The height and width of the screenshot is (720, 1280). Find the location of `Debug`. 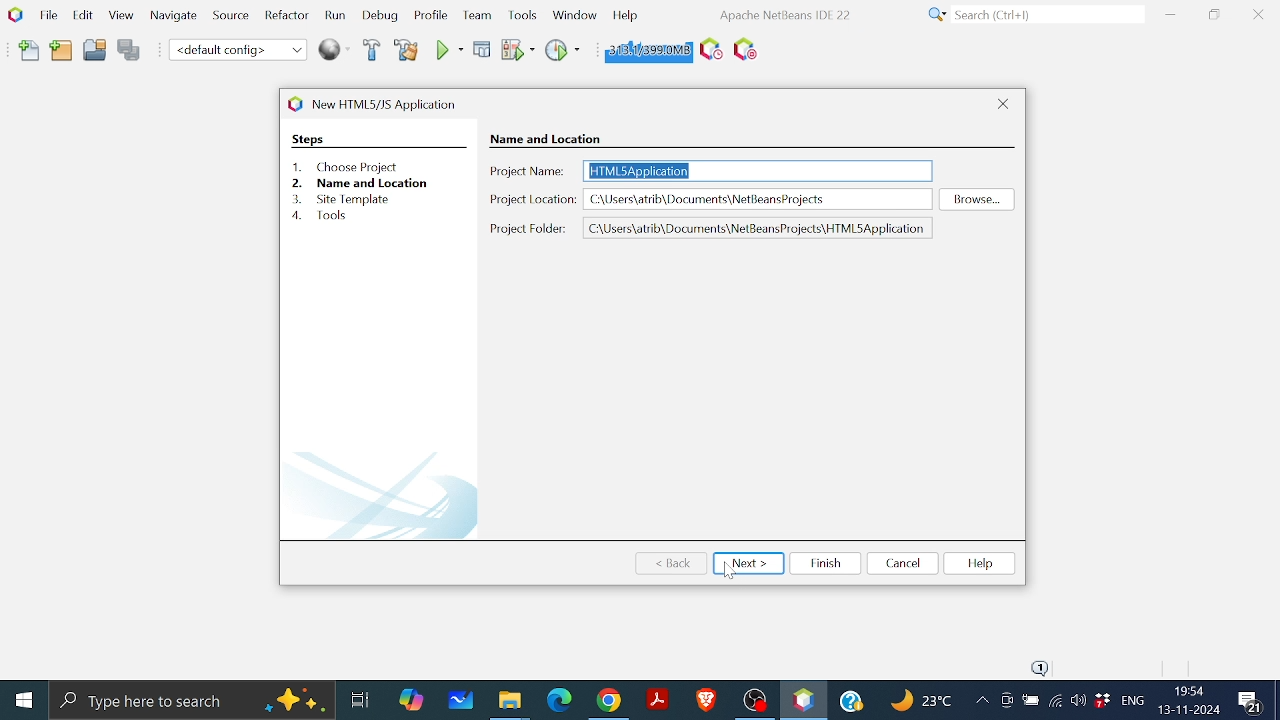

Debug is located at coordinates (483, 49).